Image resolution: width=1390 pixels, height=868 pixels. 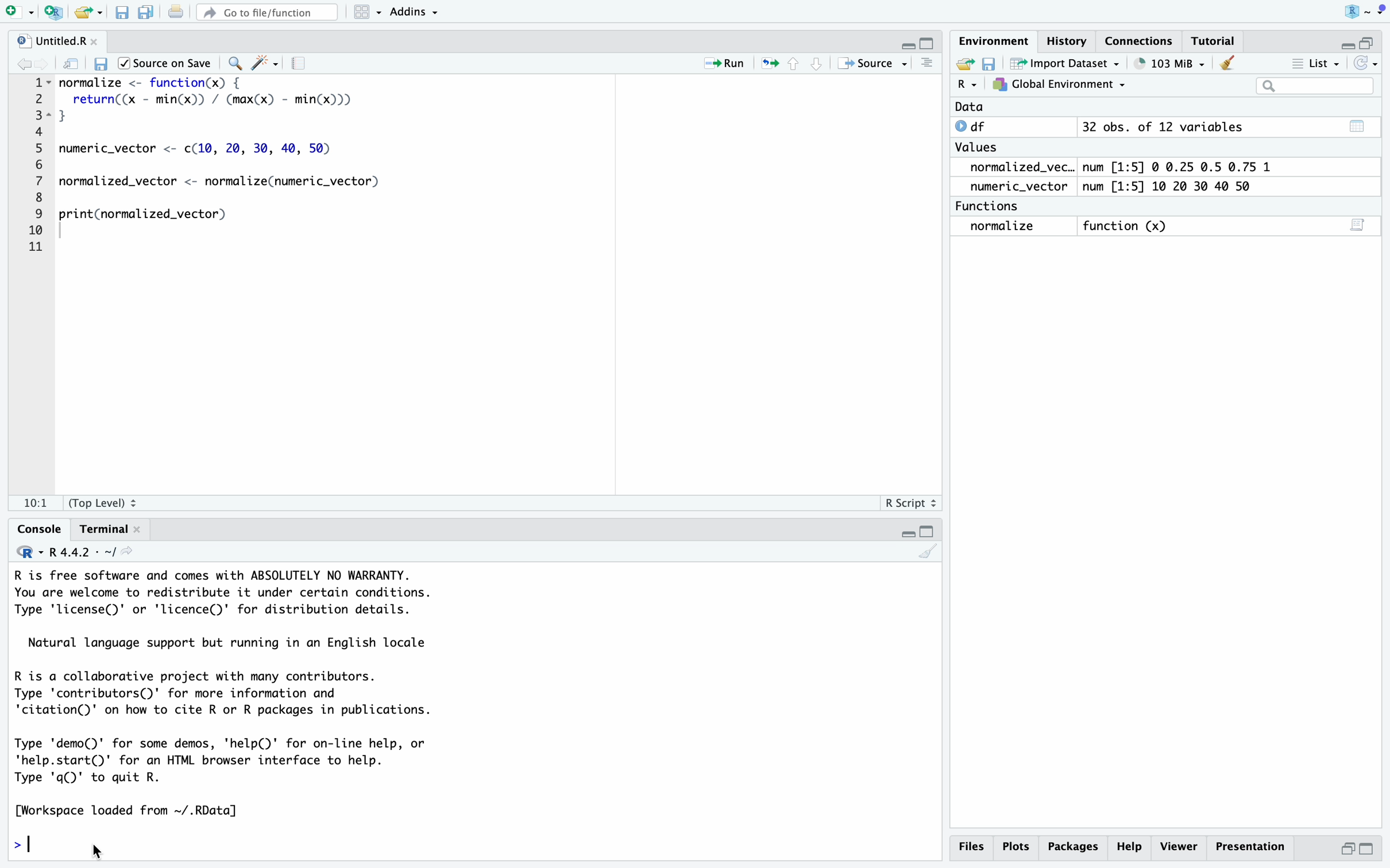 What do you see at coordinates (43, 61) in the screenshot?
I see `Go forward to the next source location (Ctrl + F10)` at bounding box center [43, 61].